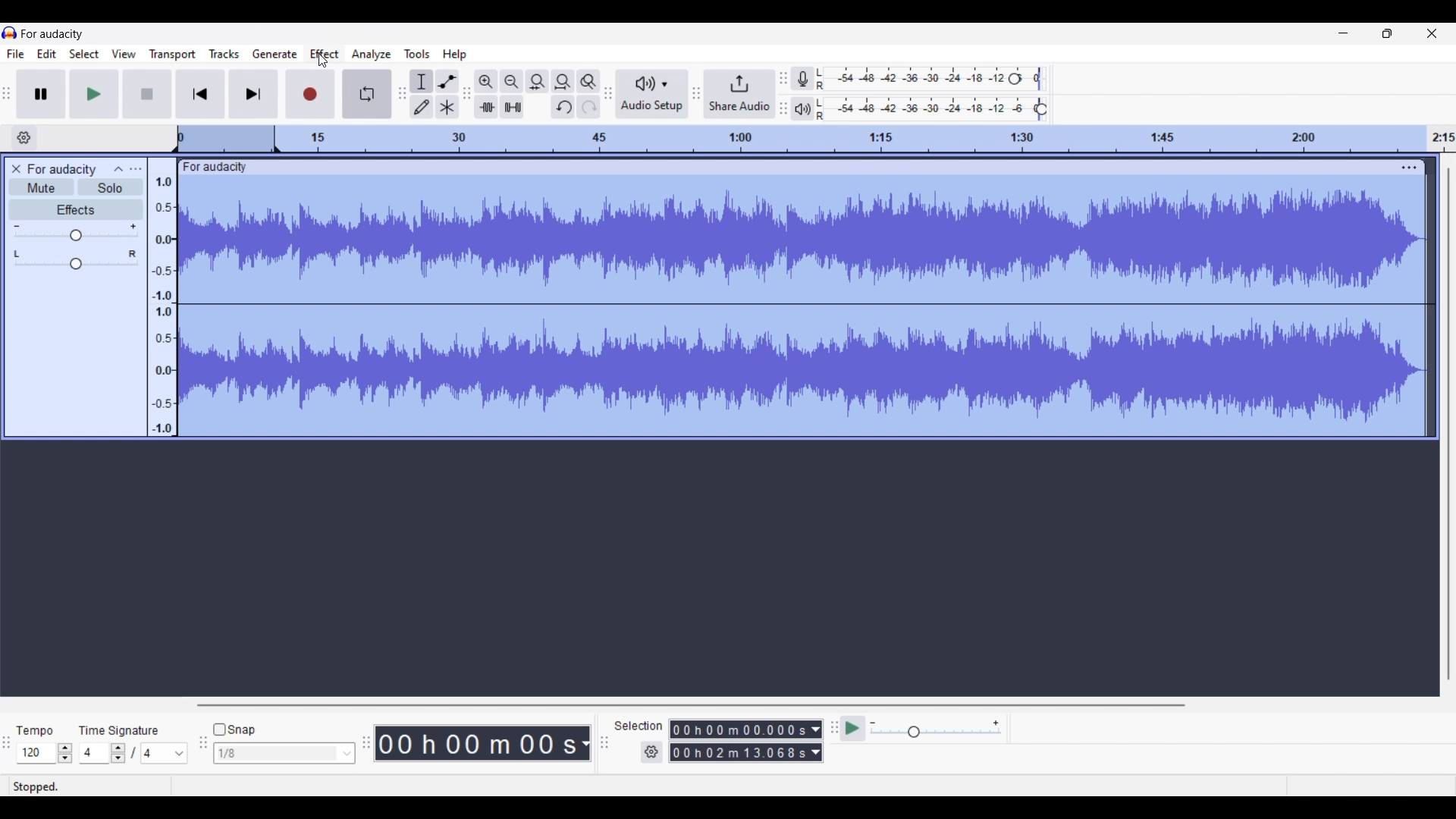  What do you see at coordinates (874, 723) in the screenshot?
I see `Min. playback speed` at bounding box center [874, 723].